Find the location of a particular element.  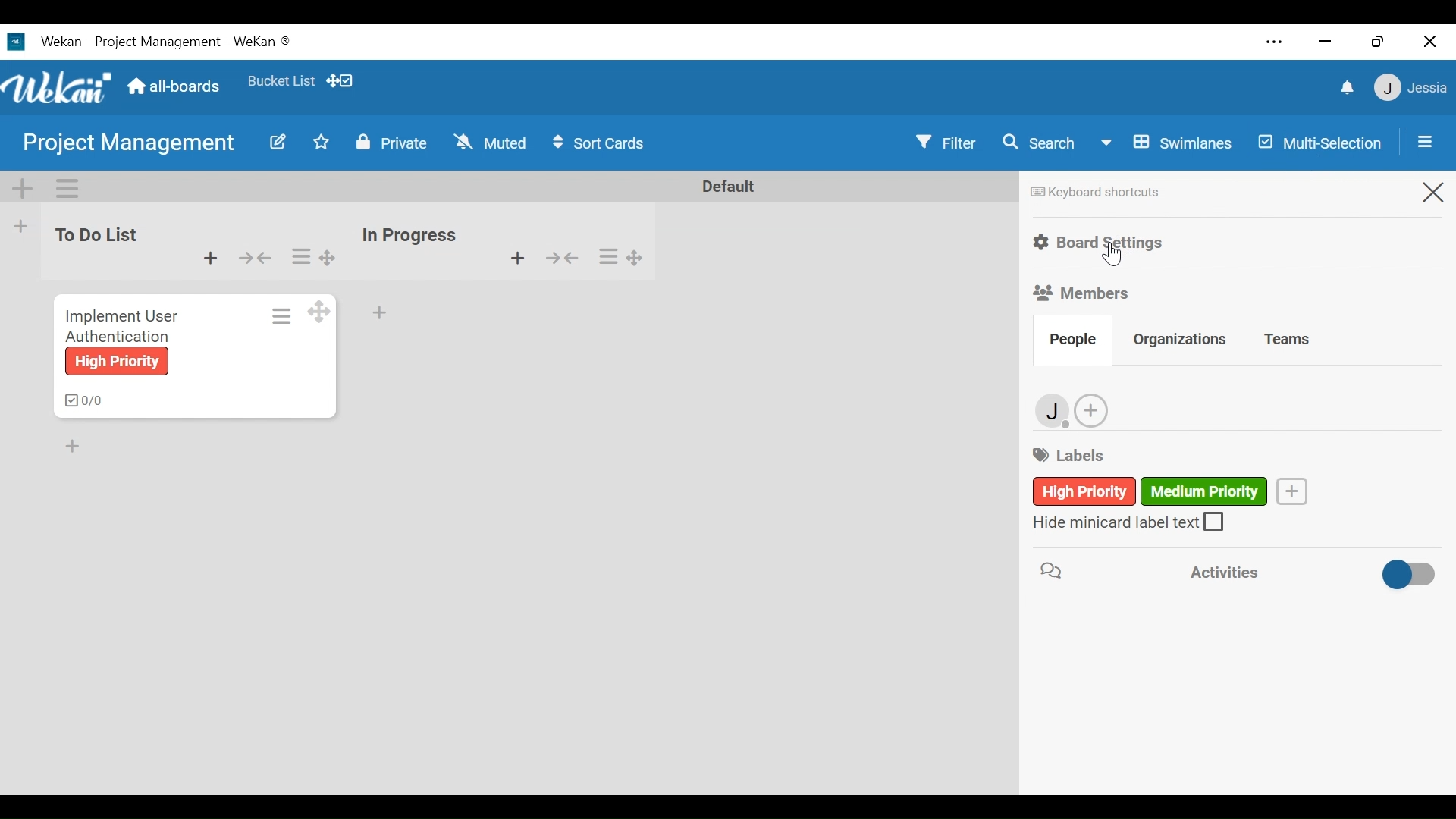

close is located at coordinates (1430, 42).